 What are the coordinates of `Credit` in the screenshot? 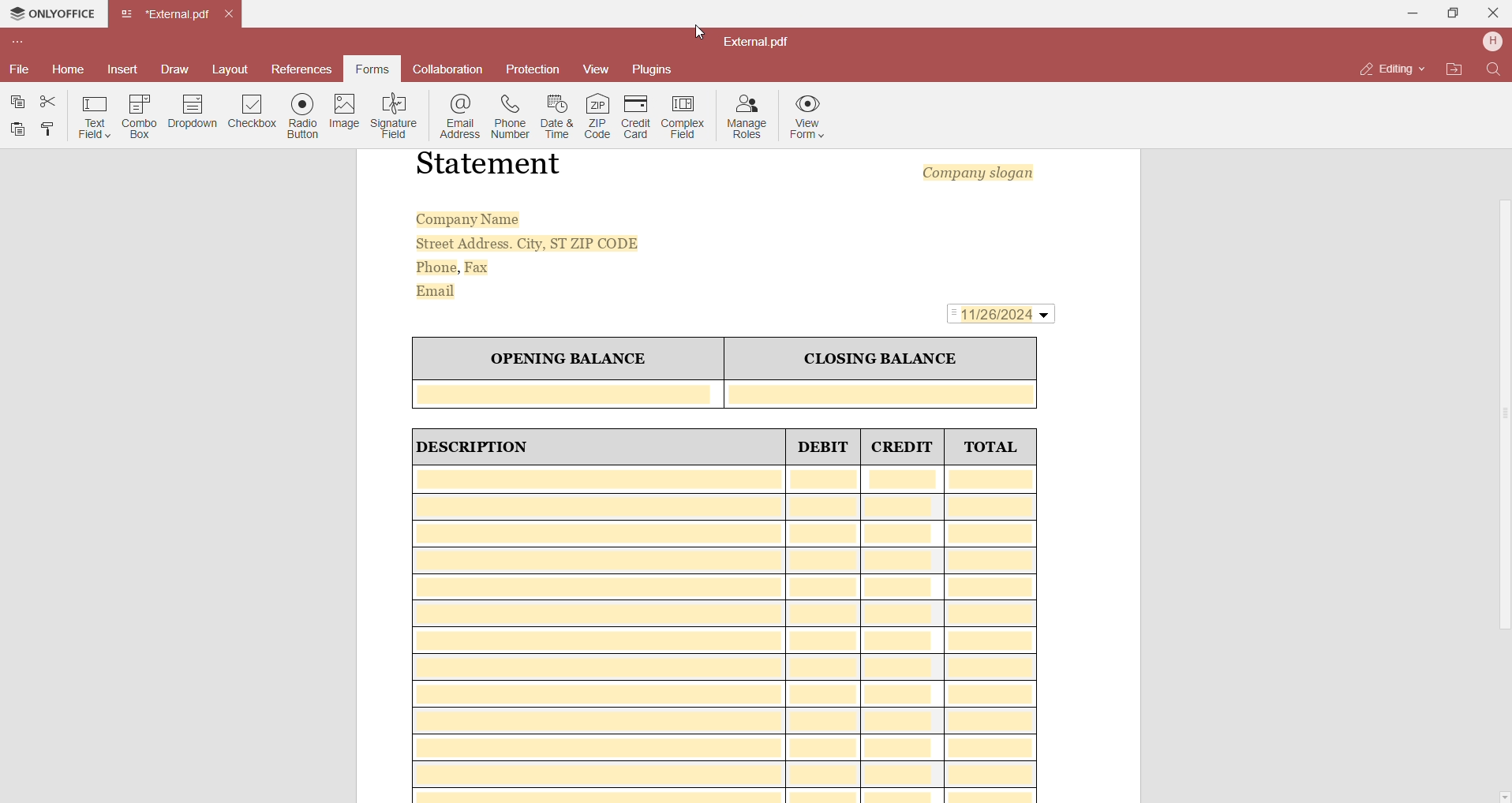 It's located at (638, 115).